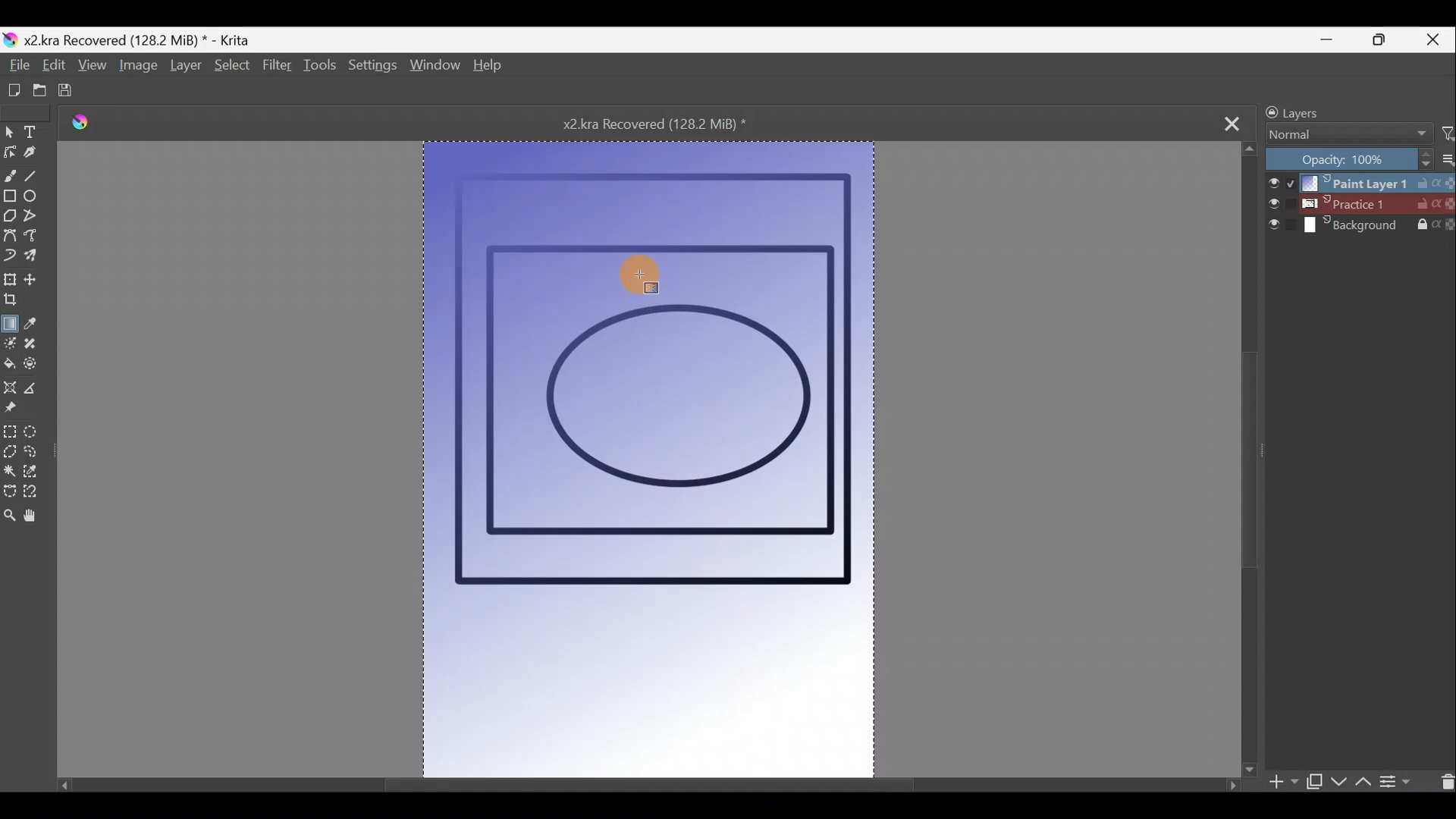 Image resolution: width=1456 pixels, height=819 pixels. What do you see at coordinates (10, 175) in the screenshot?
I see `Freehand brush tool` at bounding box center [10, 175].